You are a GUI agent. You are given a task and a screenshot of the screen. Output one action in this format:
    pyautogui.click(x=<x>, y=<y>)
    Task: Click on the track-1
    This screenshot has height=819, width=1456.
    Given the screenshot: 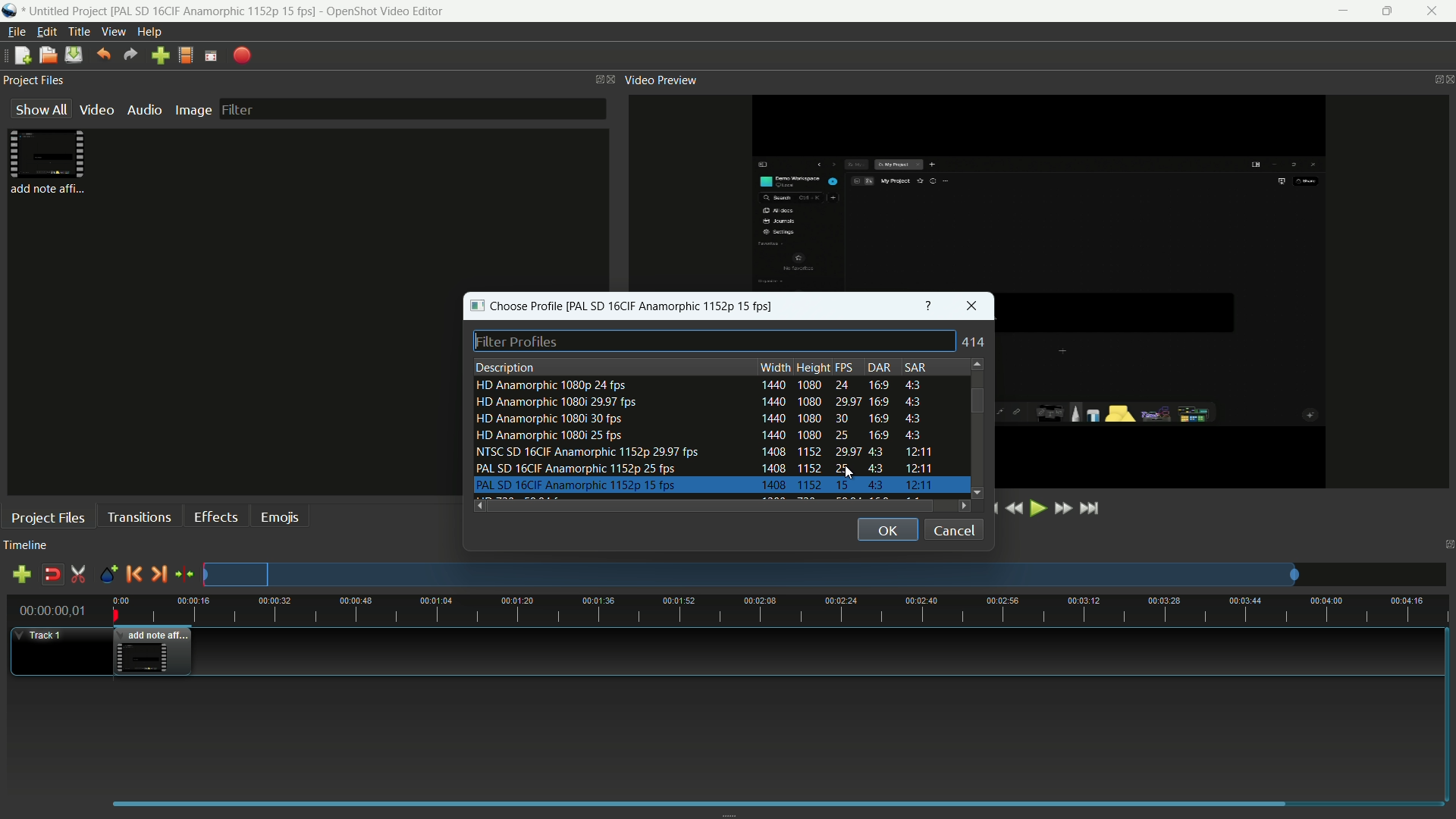 What is the action you would take?
    pyautogui.click(x=44, y=635)
    